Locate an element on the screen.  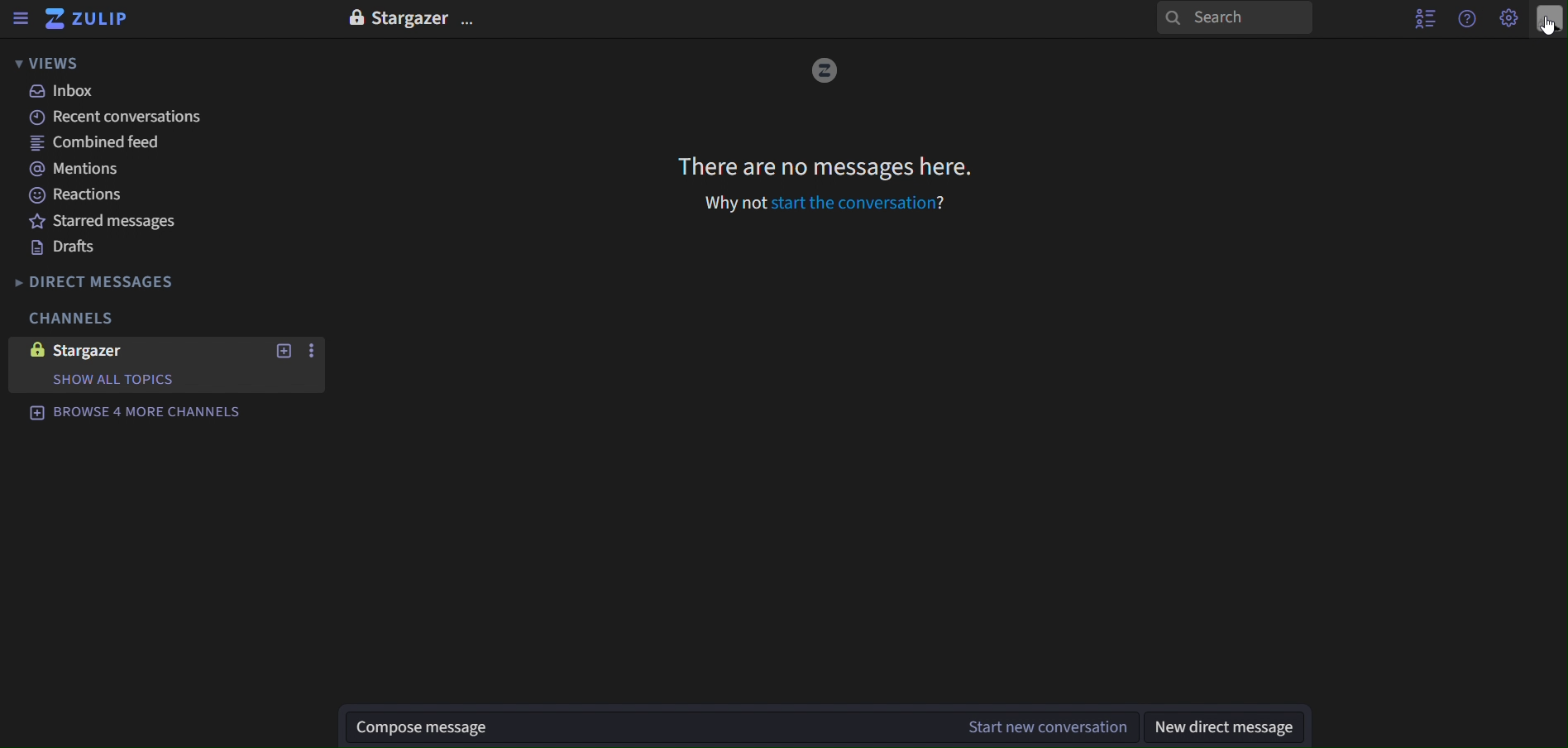
cursor is located at coordinates (1549, 32).